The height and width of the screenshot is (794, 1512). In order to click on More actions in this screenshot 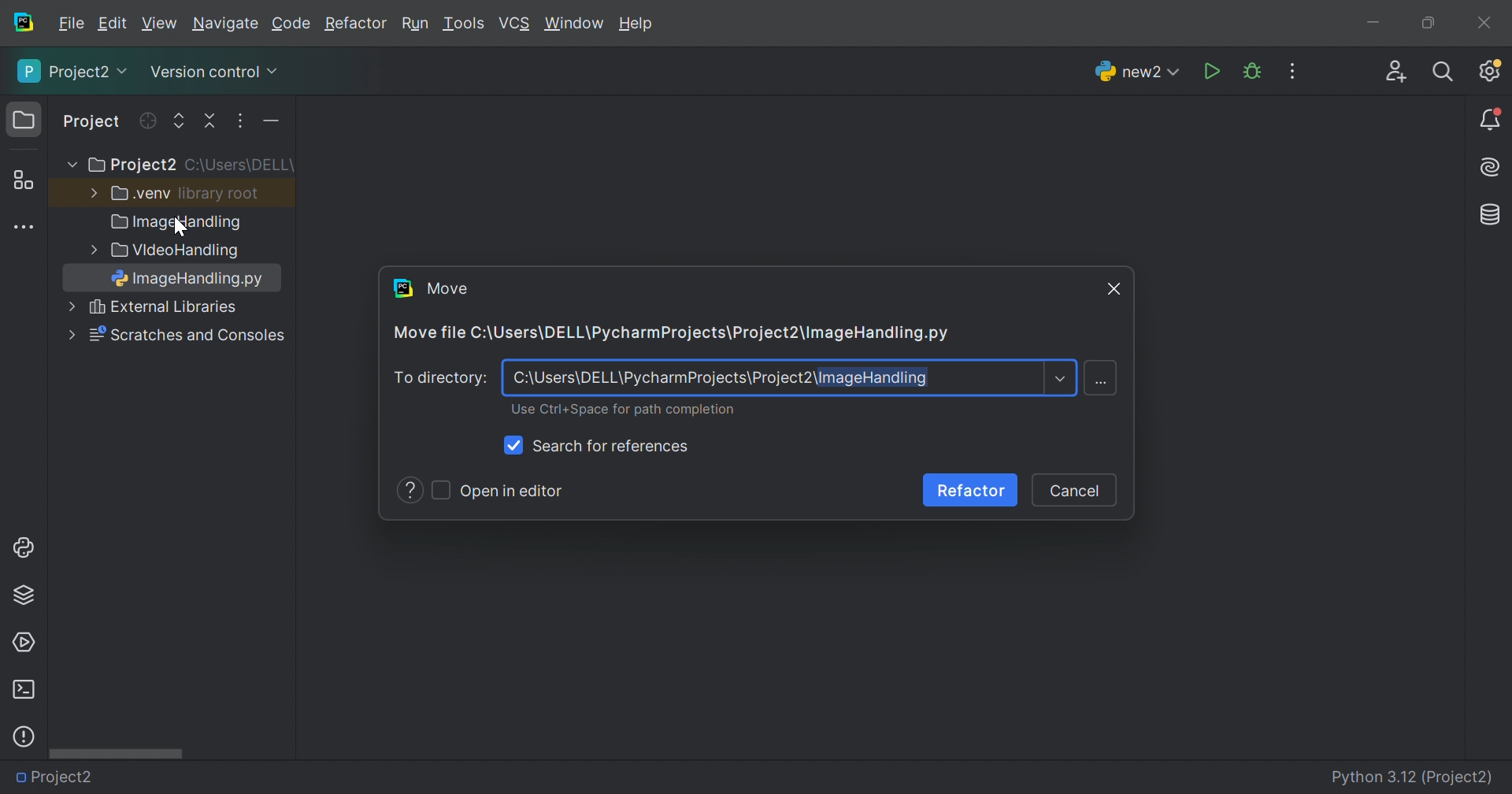, I will do `click(267, 124)`.